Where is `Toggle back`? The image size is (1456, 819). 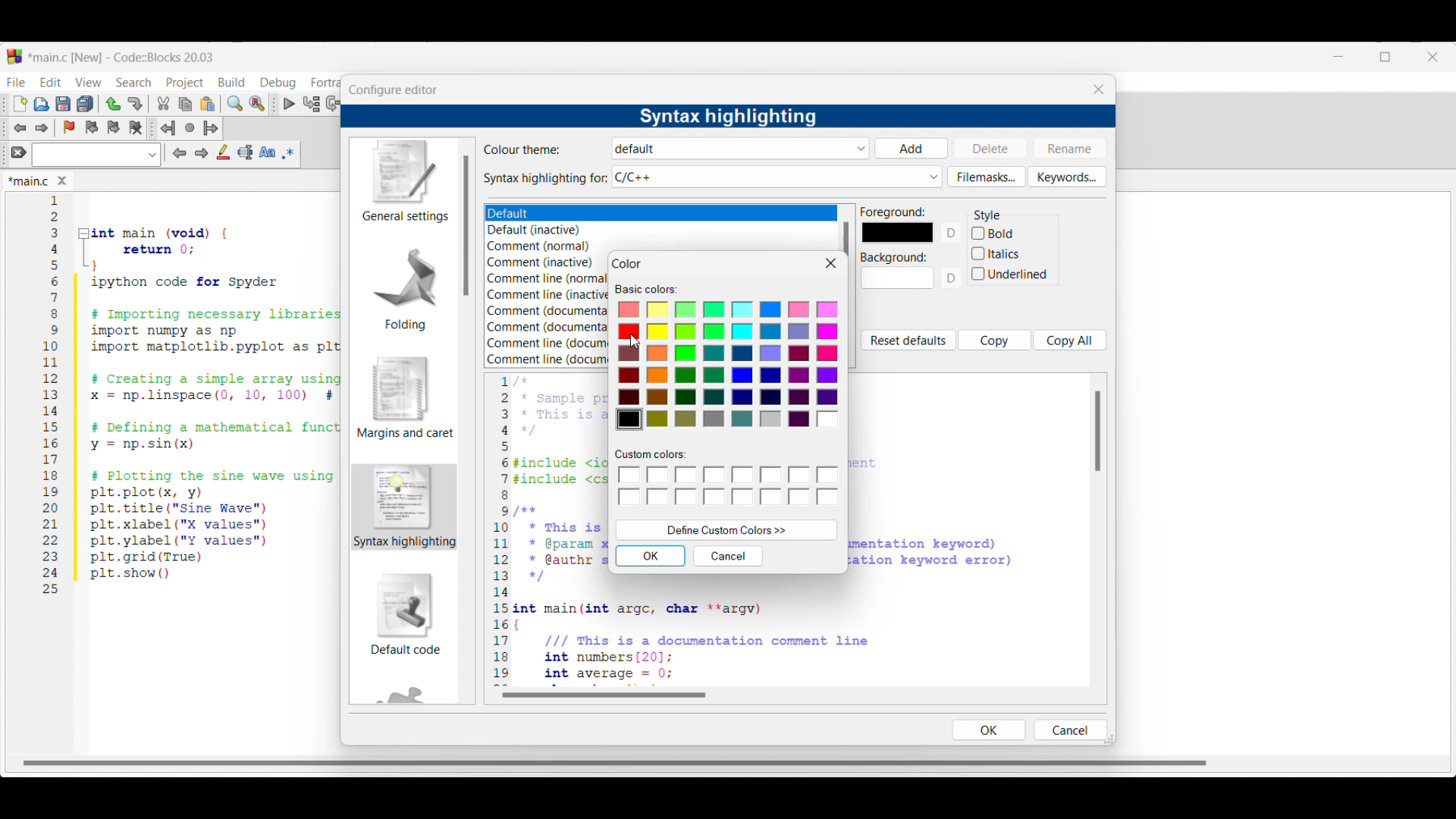
Toggle back is located at coordinates (20, 128).